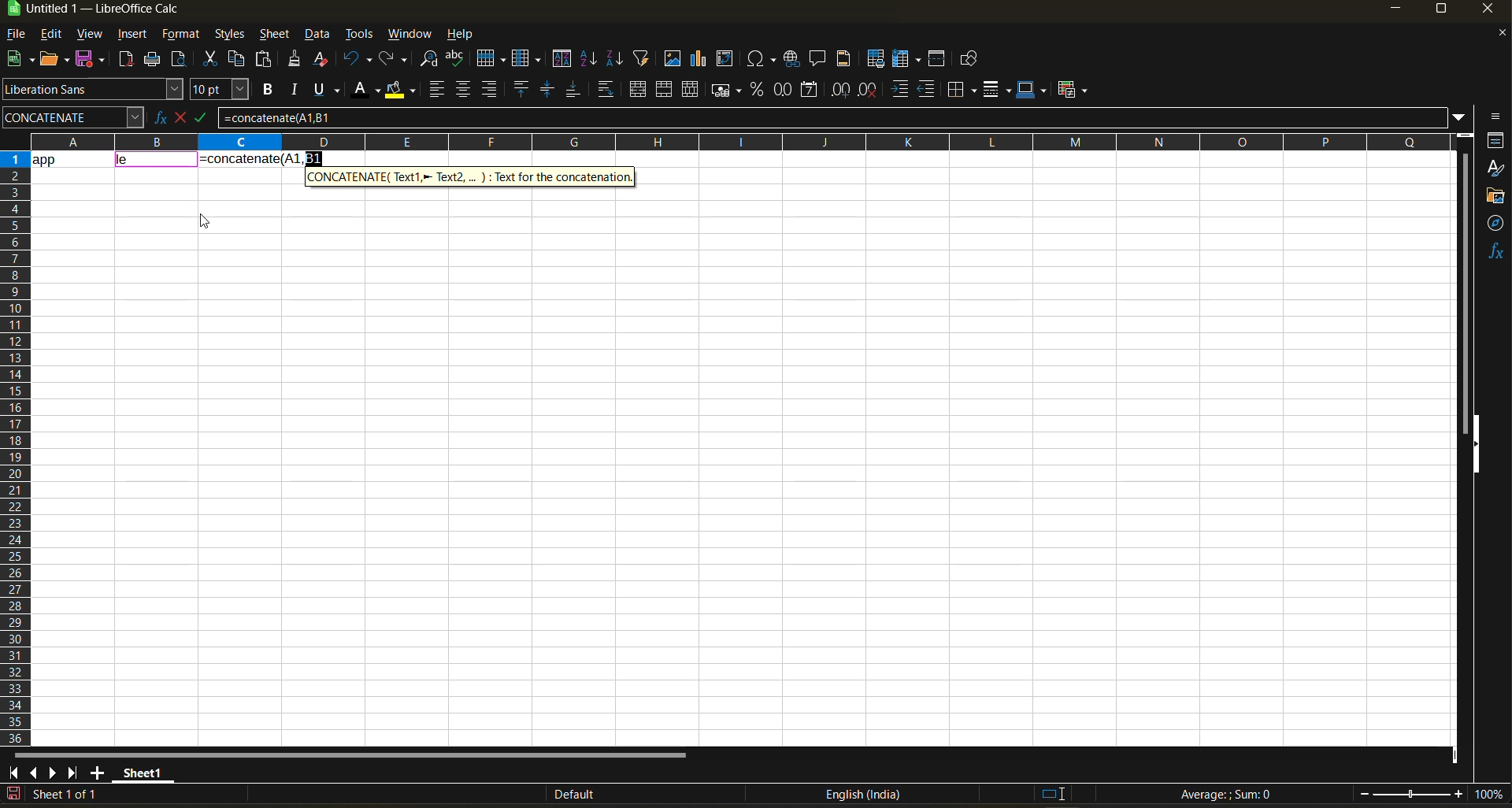  What do you see at coordinates (491, 90) in the screenshot?
I see `align right` at bounding box center [491, 90].